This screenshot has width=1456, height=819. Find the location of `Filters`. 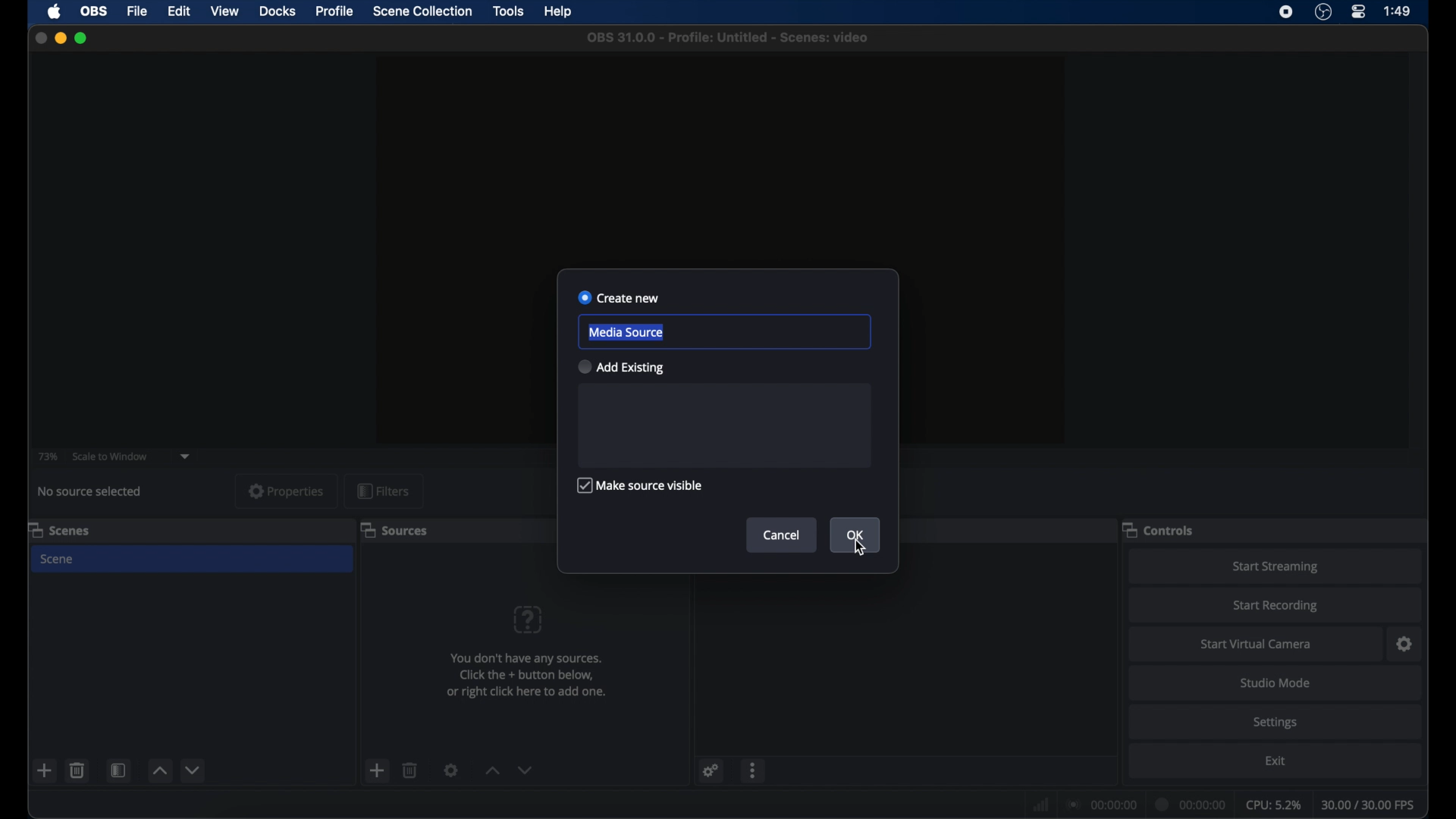

Filters is located at coordinates (384, 491).